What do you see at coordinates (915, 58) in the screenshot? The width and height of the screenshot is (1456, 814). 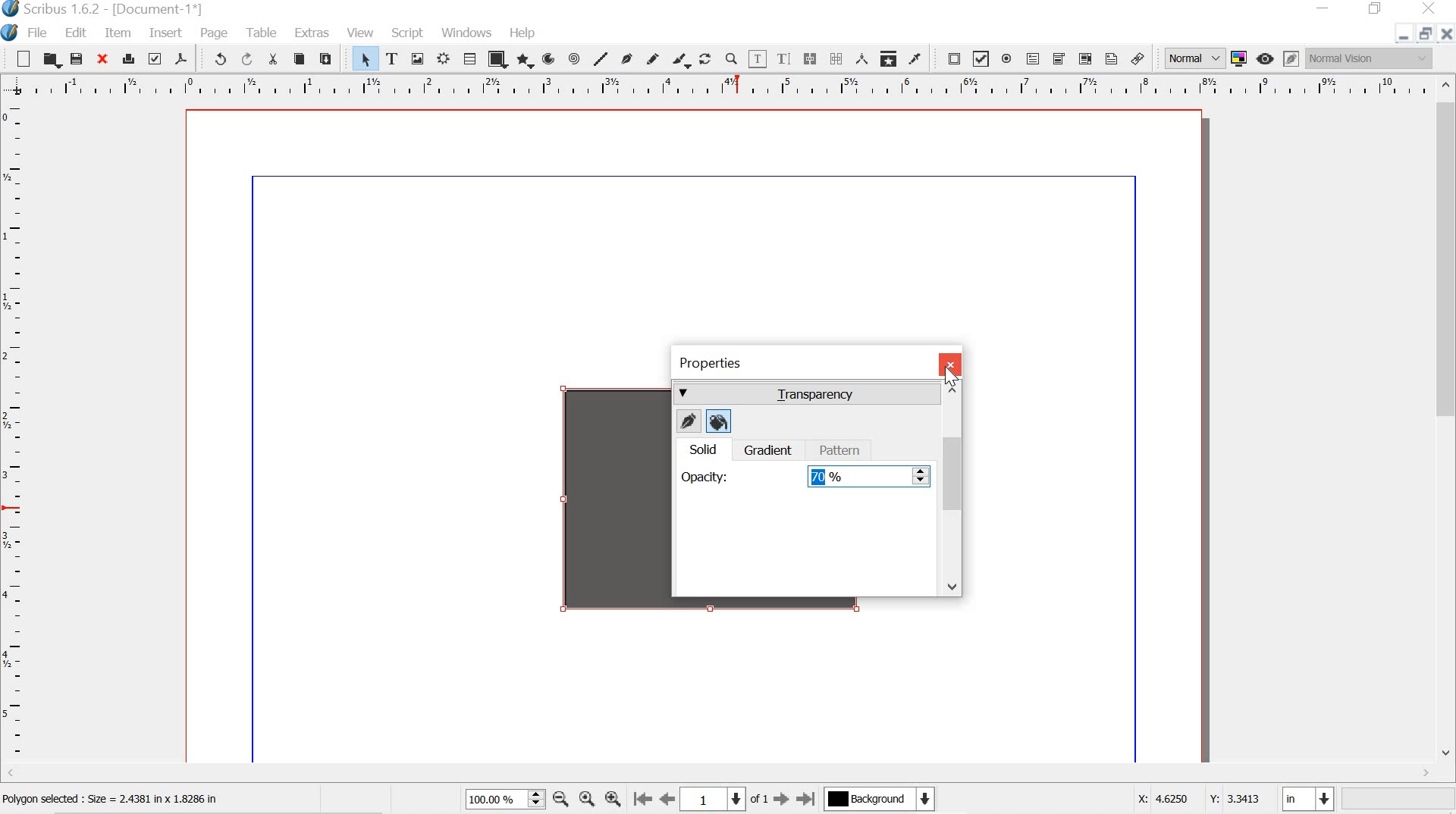 I see `eye dropper` at bounding box center [915, 58].